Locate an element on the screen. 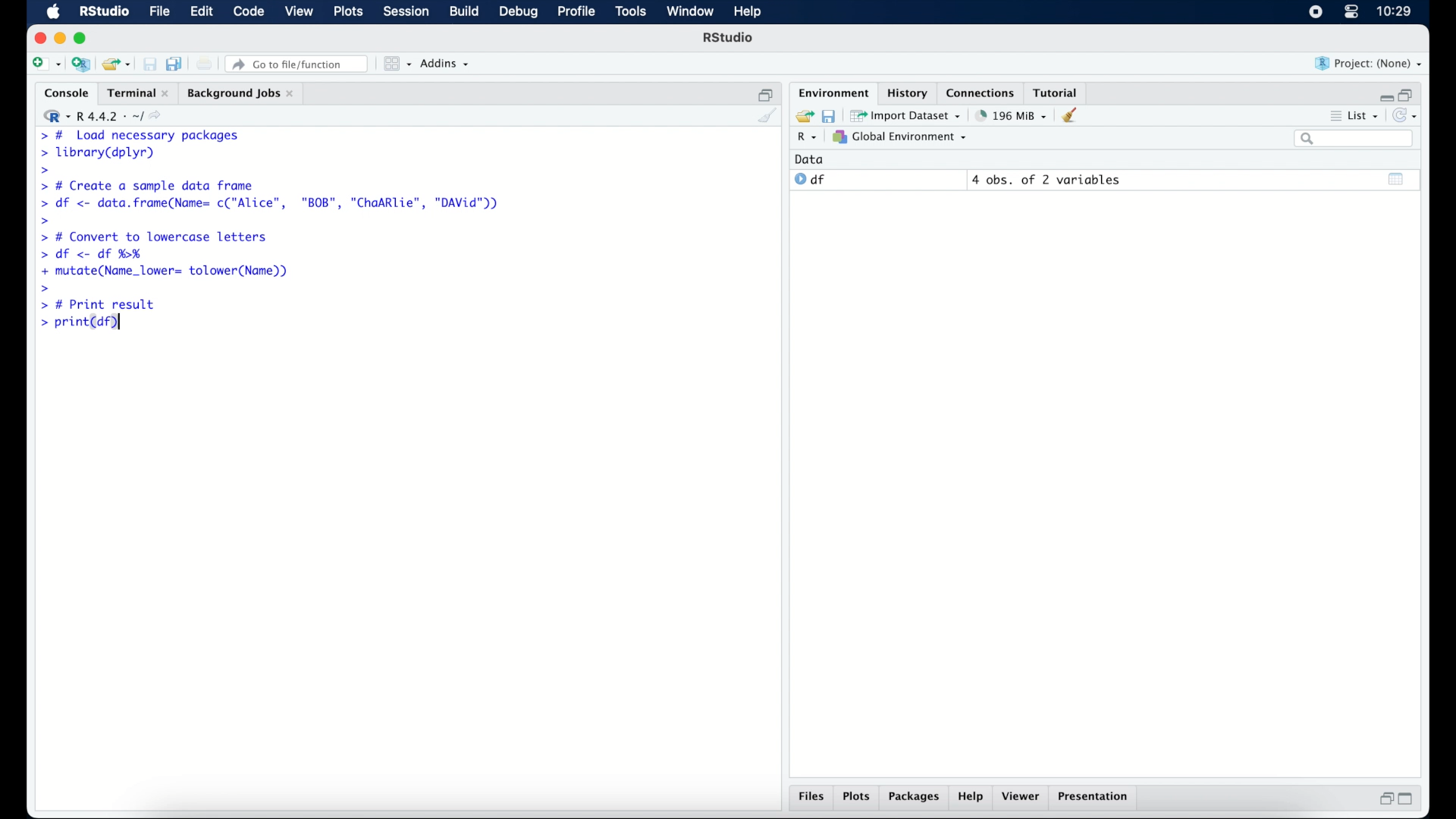  workspace panes is located at coordinates (396, 64).